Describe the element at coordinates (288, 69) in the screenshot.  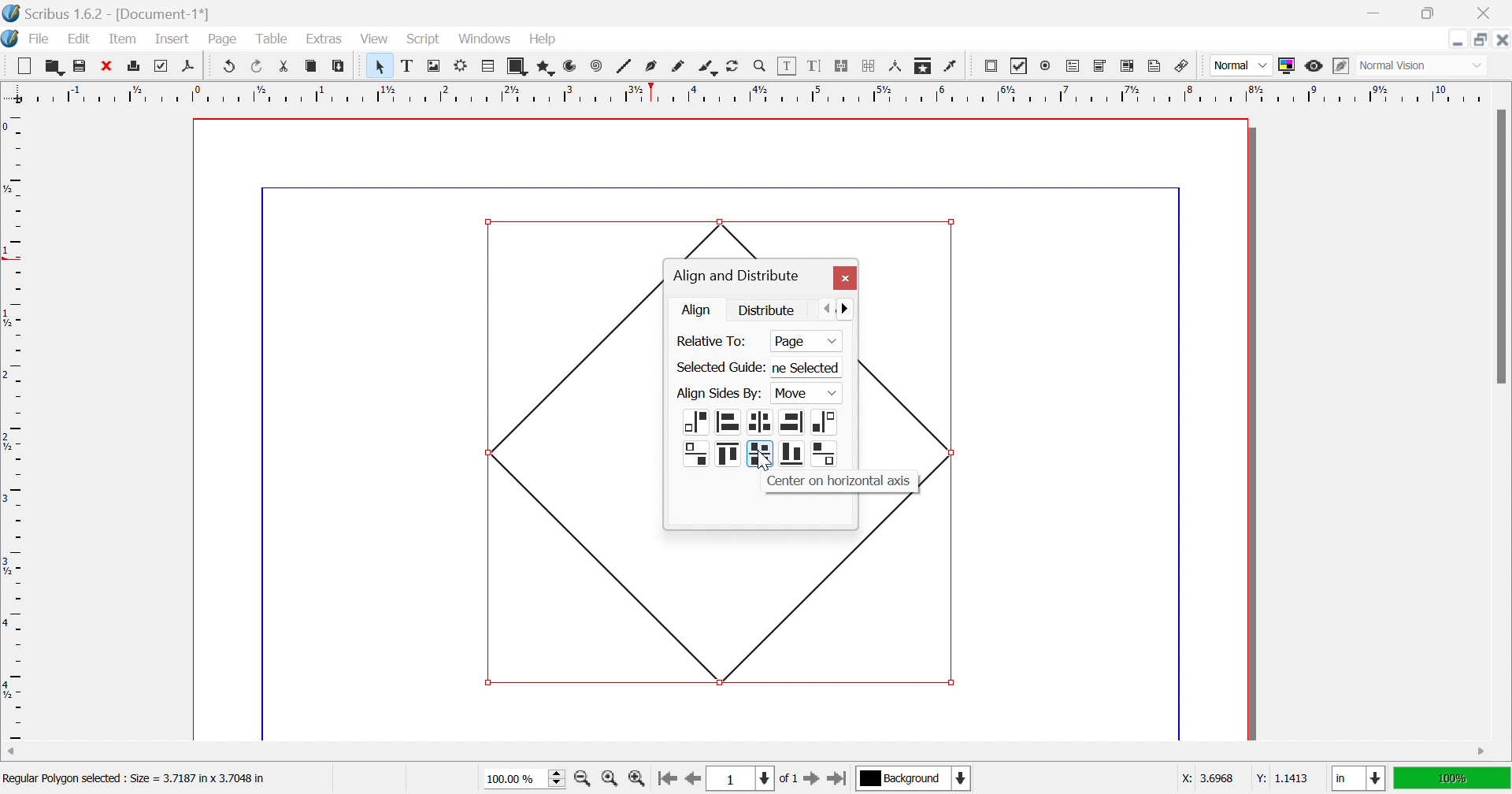
I see `Cut` at that location.